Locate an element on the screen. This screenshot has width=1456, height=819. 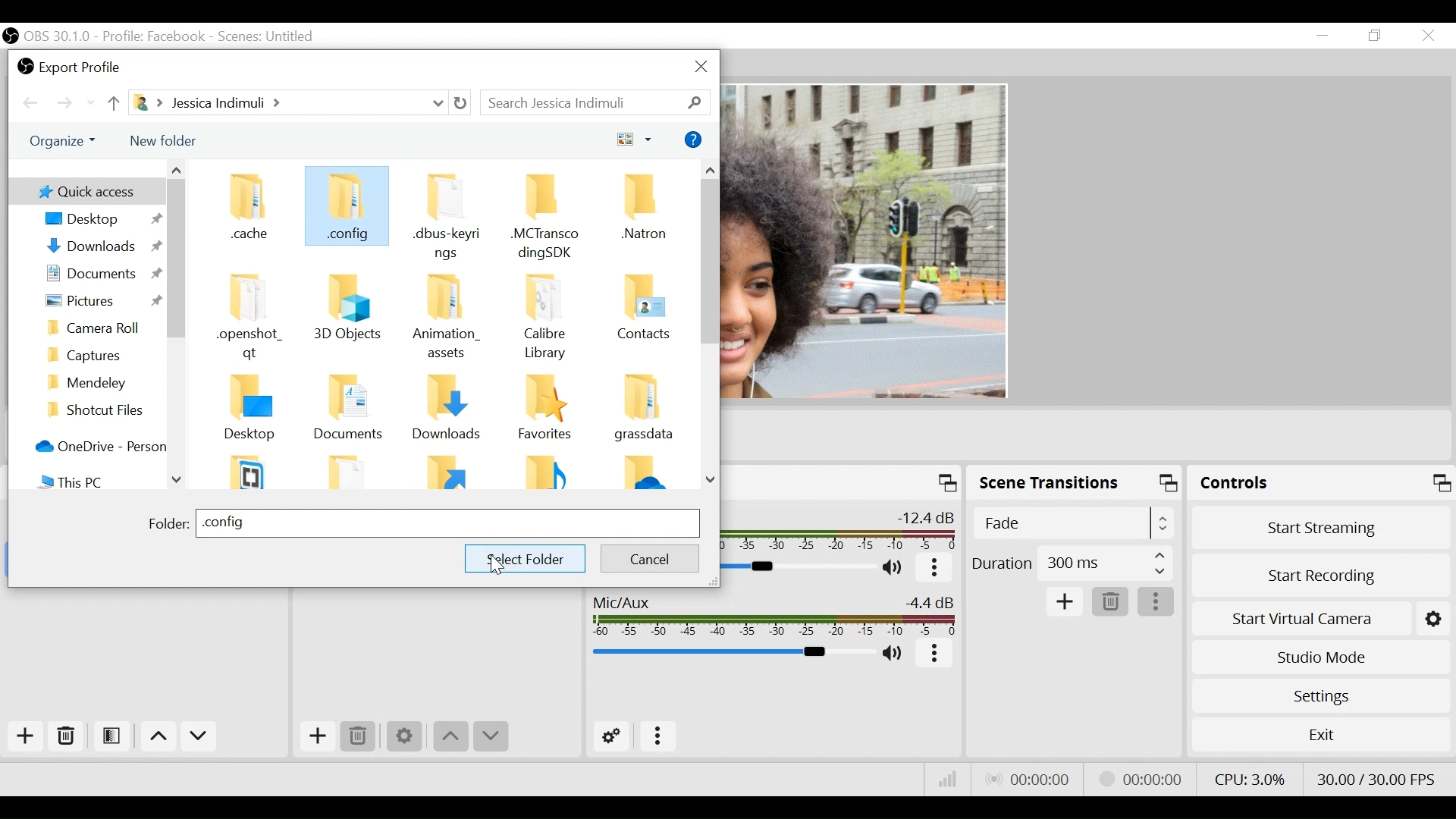
Folder is located at coordinates (545, 472).